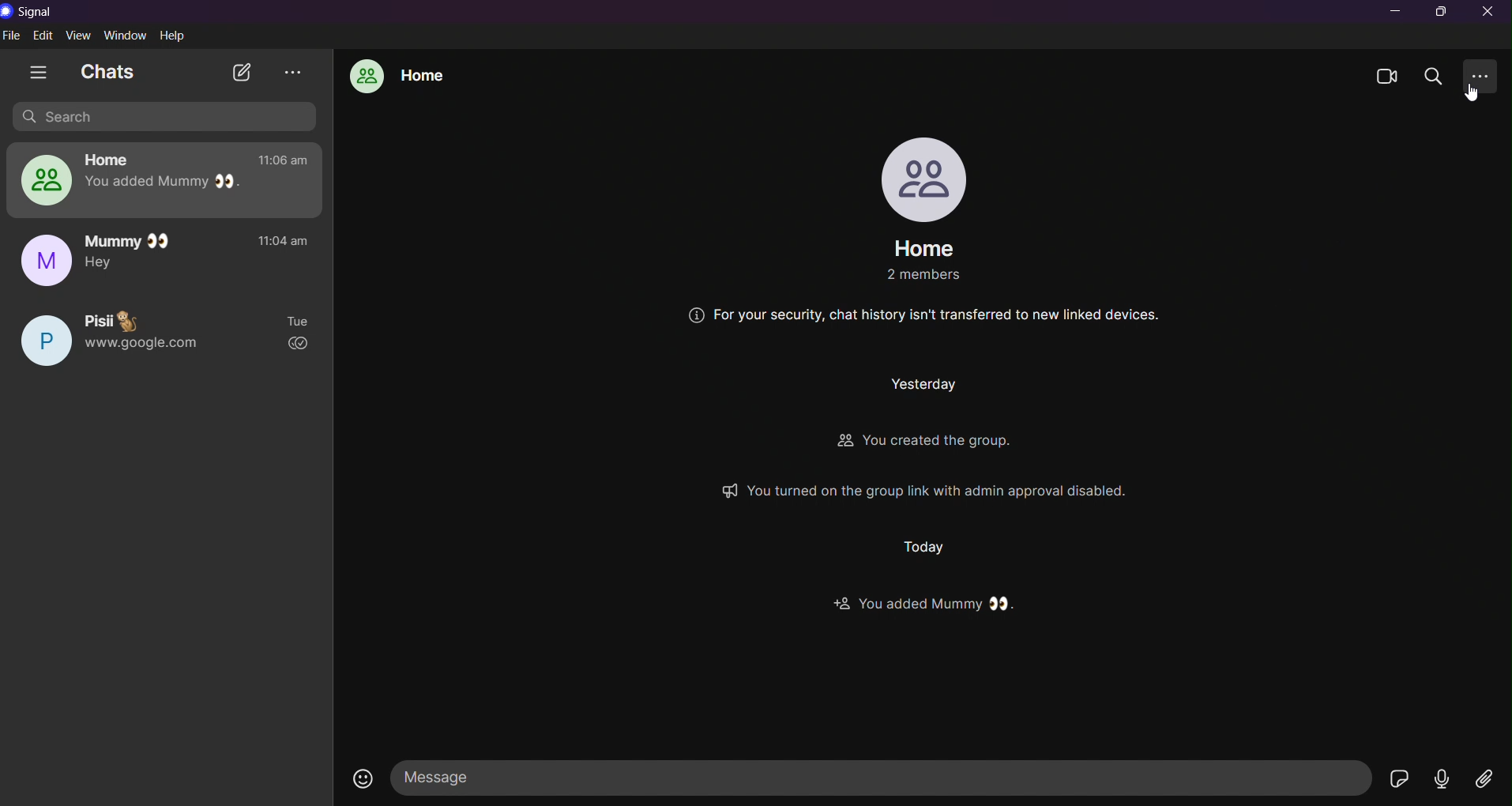 The width and height of the screenshot is (1512, 806). Describe the element at coordinates (908, 386) in the screenshot. I see `Yesterday` at that location.